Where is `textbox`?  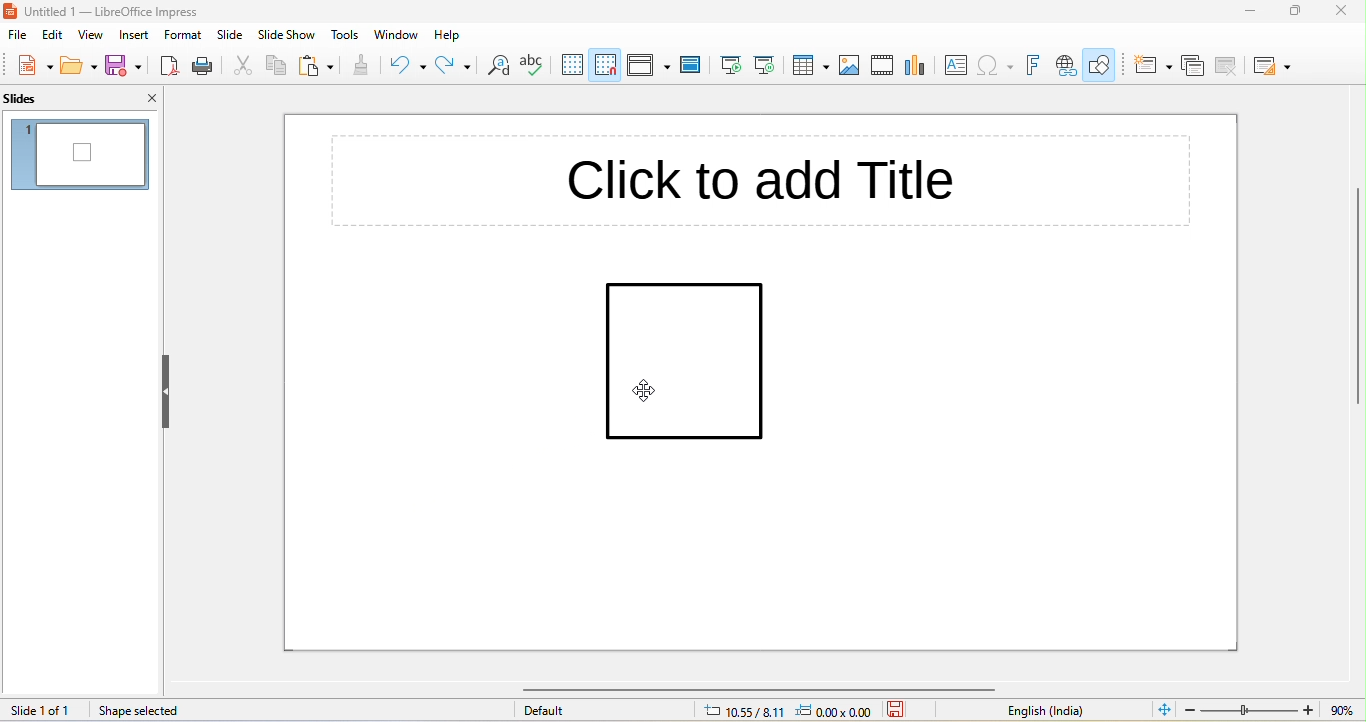
textbox is located at coordinates (954, 65).